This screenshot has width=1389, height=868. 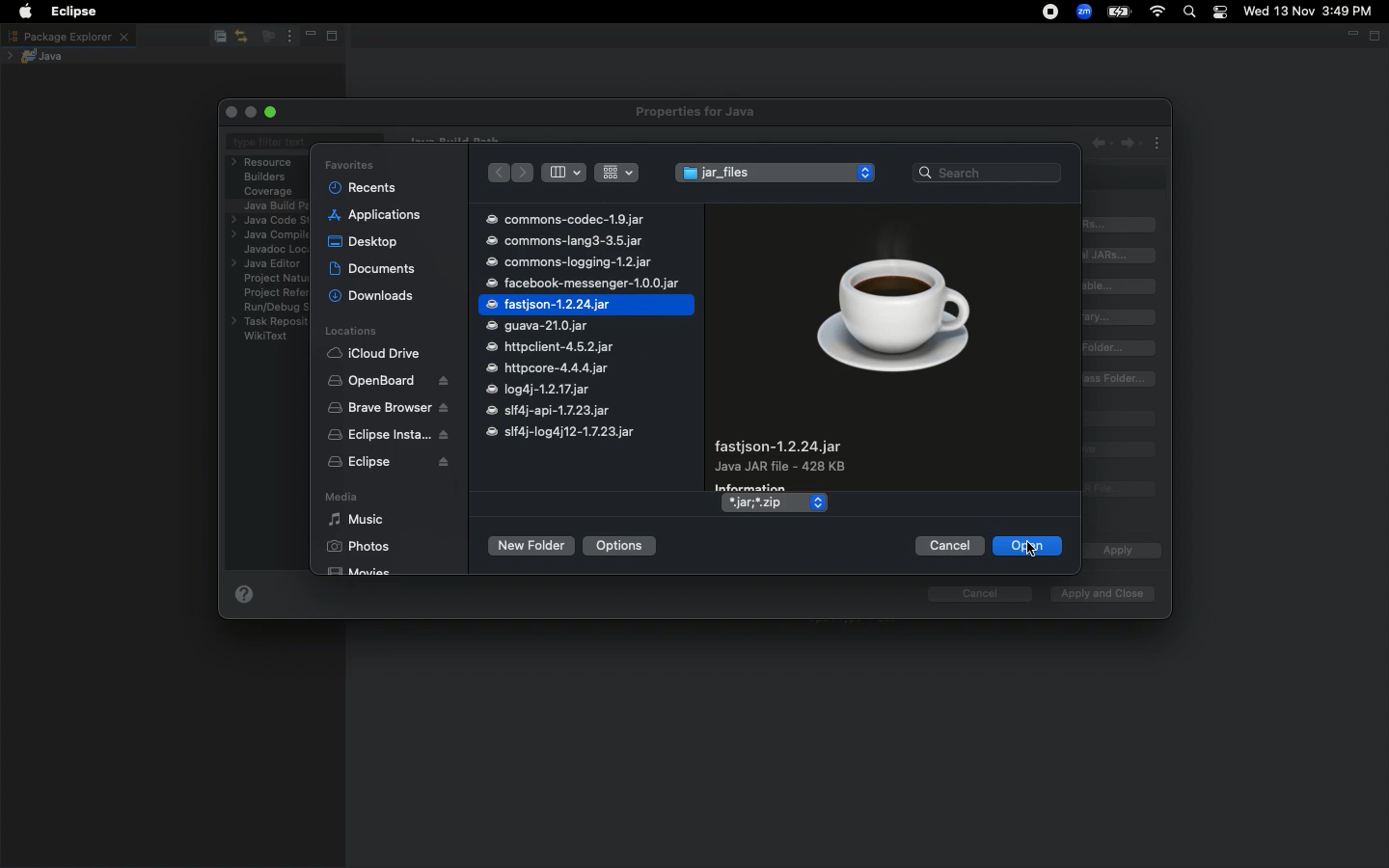 I want to click on increase/decrease arrows, so click(x=817, y=502).